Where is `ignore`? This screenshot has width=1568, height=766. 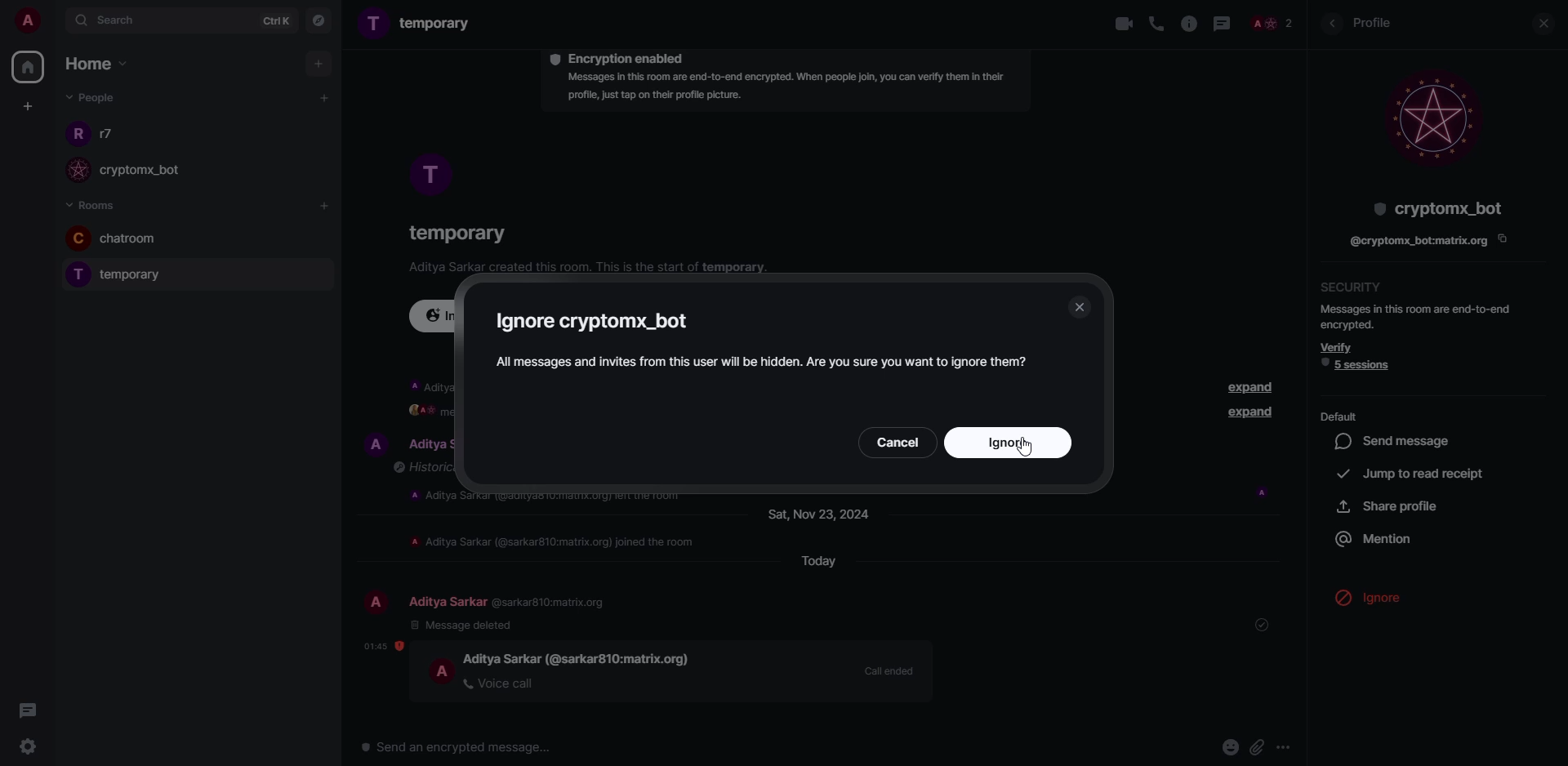
ignore is located at coordinates (1012, 442).